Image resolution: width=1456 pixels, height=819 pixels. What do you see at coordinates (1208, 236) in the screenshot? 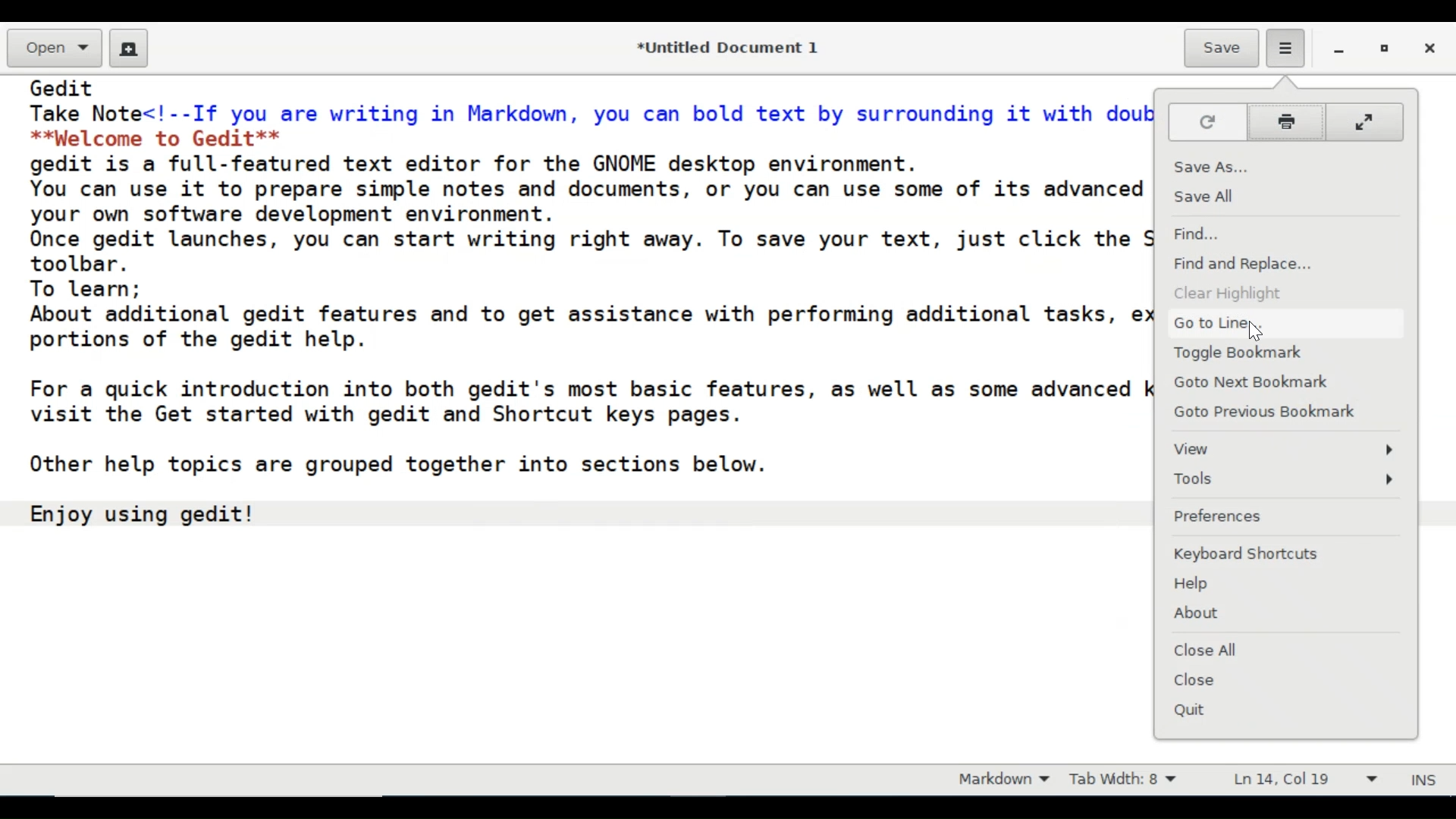
I see `Find` at bounding box center [1208, 236].